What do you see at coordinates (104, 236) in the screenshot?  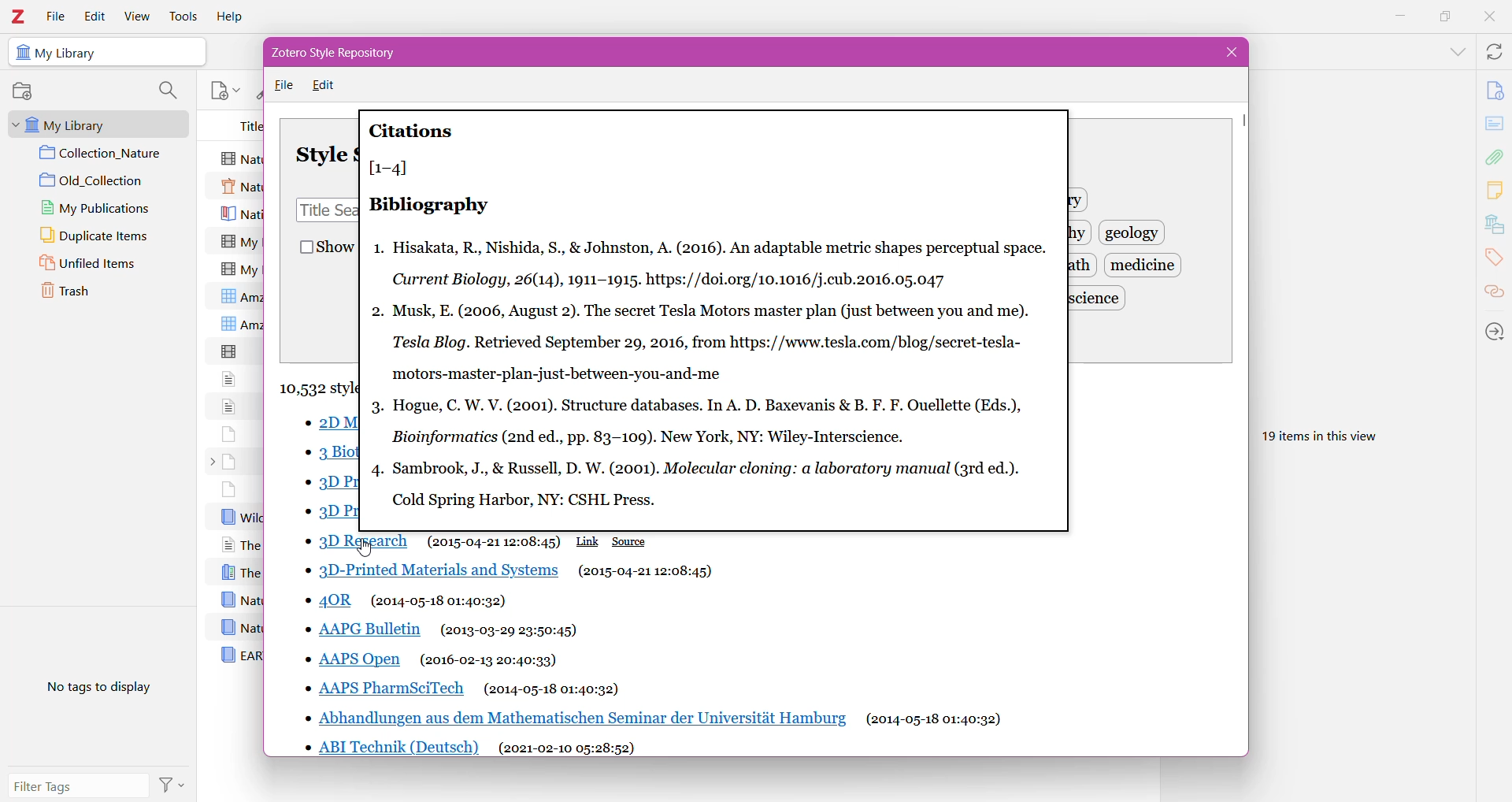 I see `Duplicate Items` at bounding box center [104, 236].